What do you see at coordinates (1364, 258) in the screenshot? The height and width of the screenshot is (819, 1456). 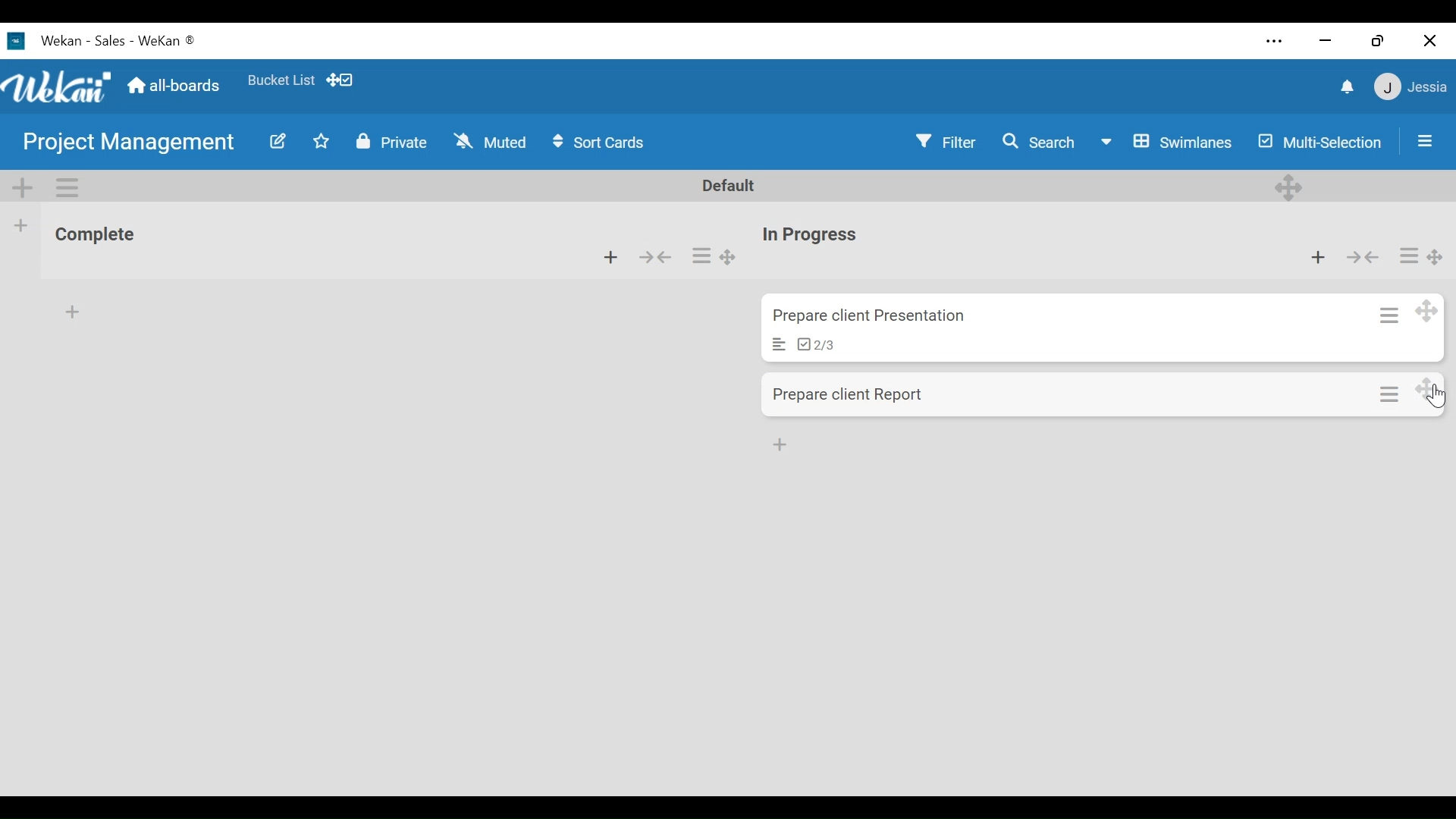 I see `Collapse` at bounding box center [1364, 258].